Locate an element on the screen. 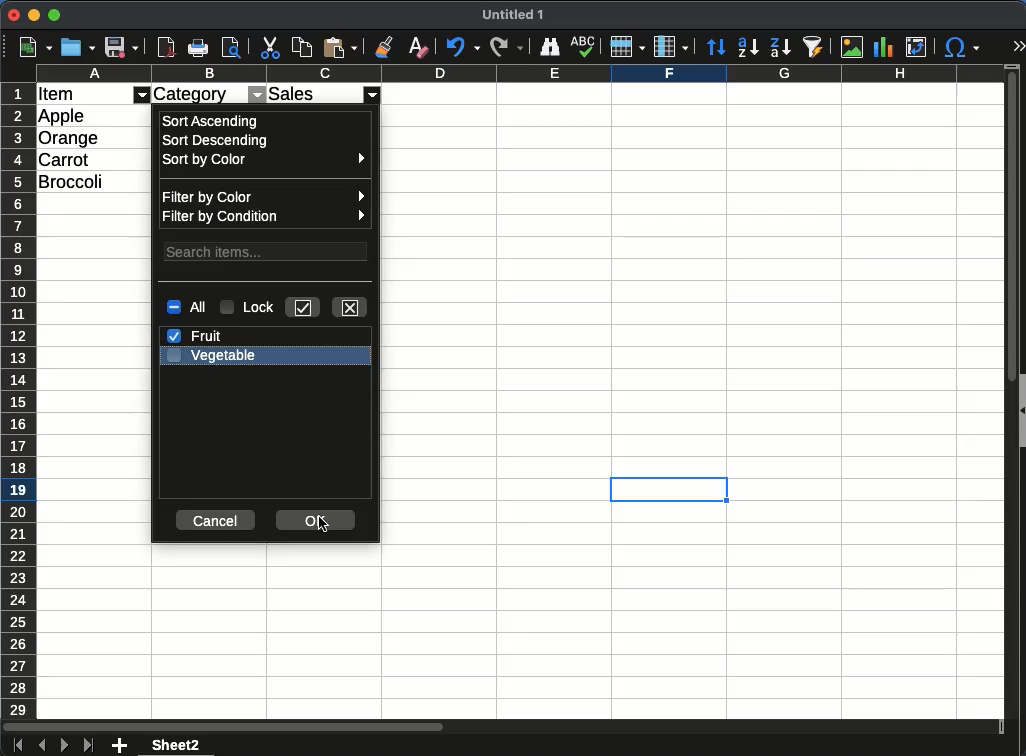  category is located at coordinates (193, 94).